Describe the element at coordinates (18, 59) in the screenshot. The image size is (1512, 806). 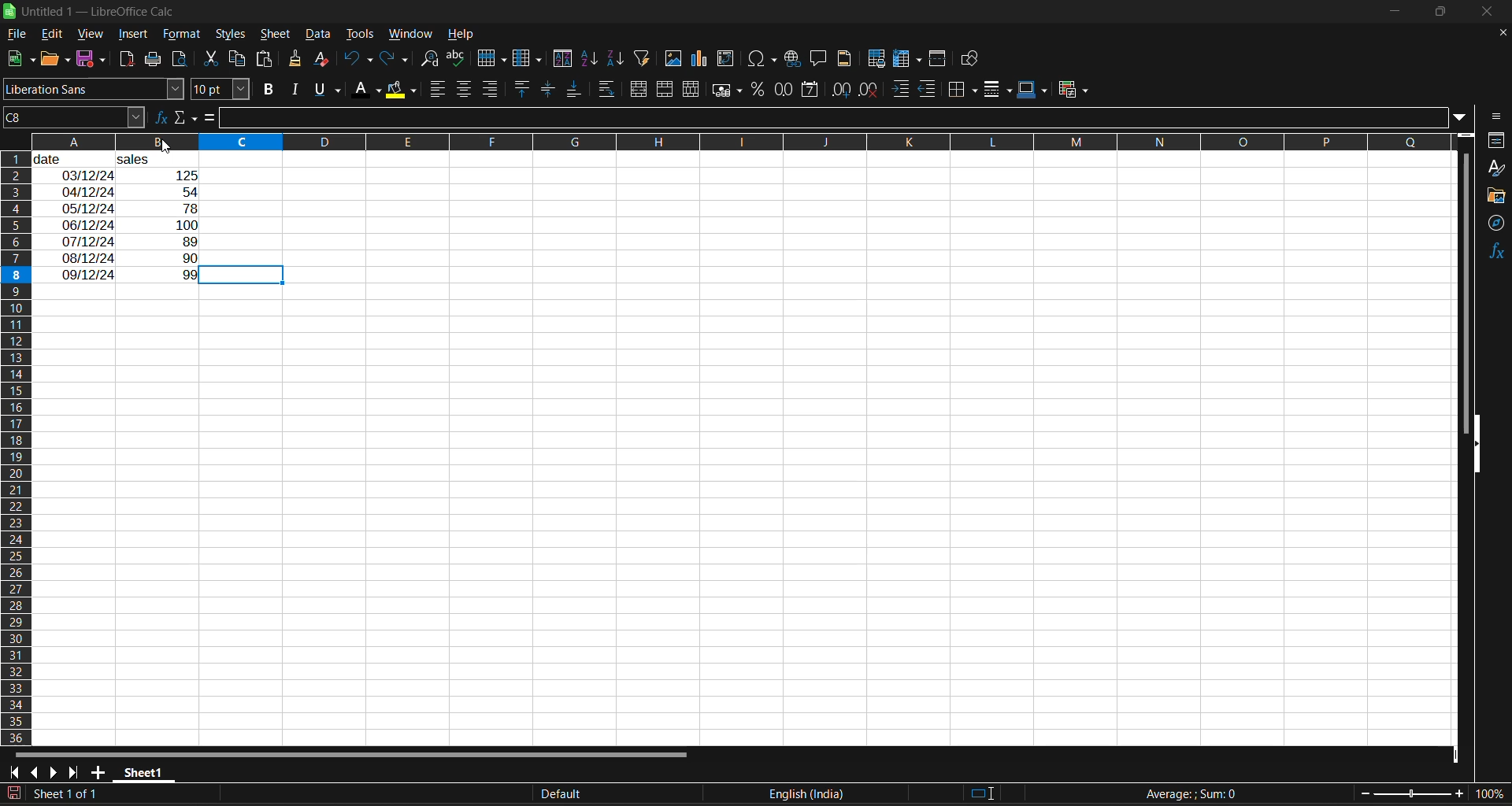
I see `new` at that location.